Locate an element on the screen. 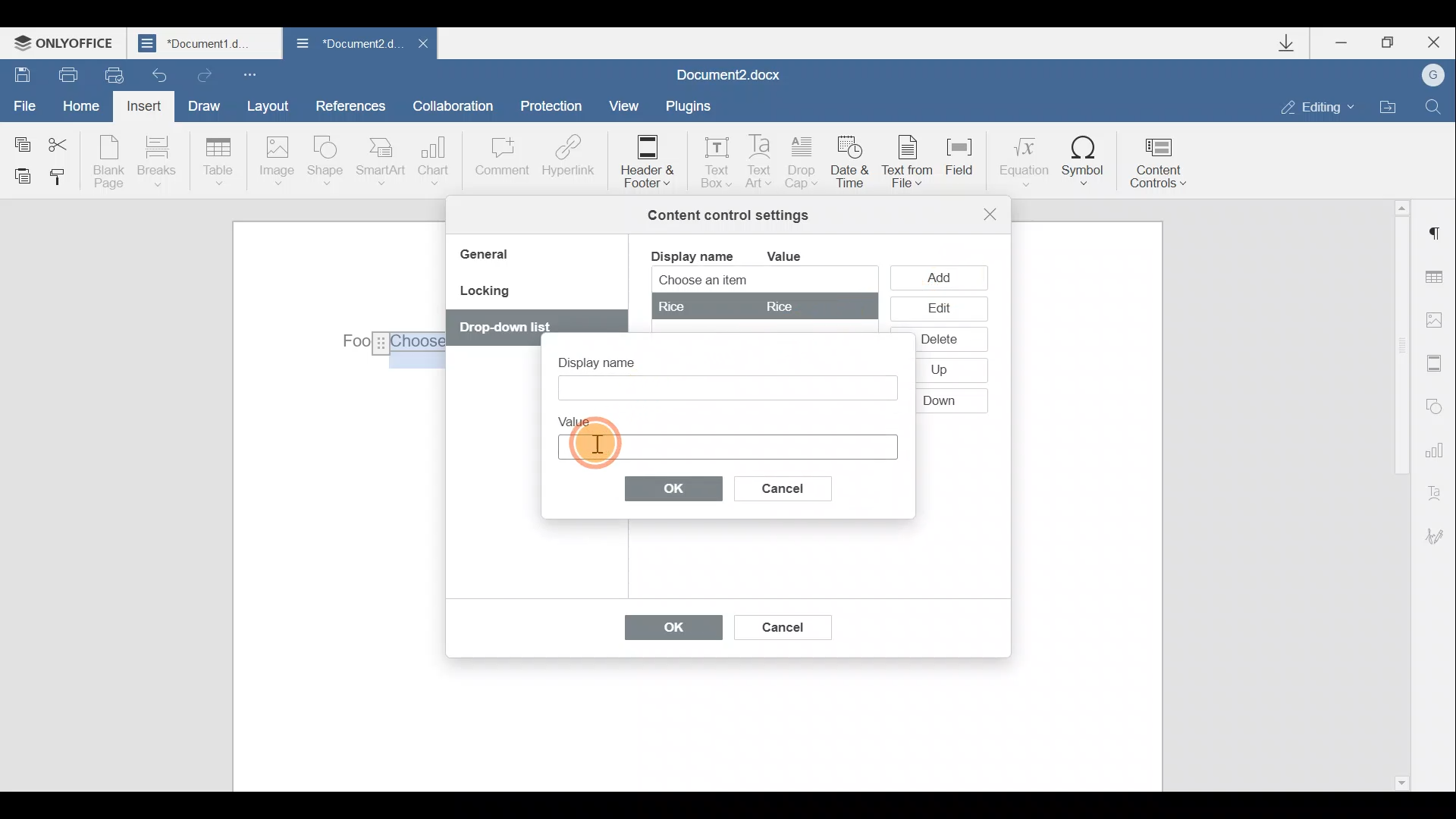 The height and width of the screenshot is (819, 1456). Close is located at coordinates (1432, 42).